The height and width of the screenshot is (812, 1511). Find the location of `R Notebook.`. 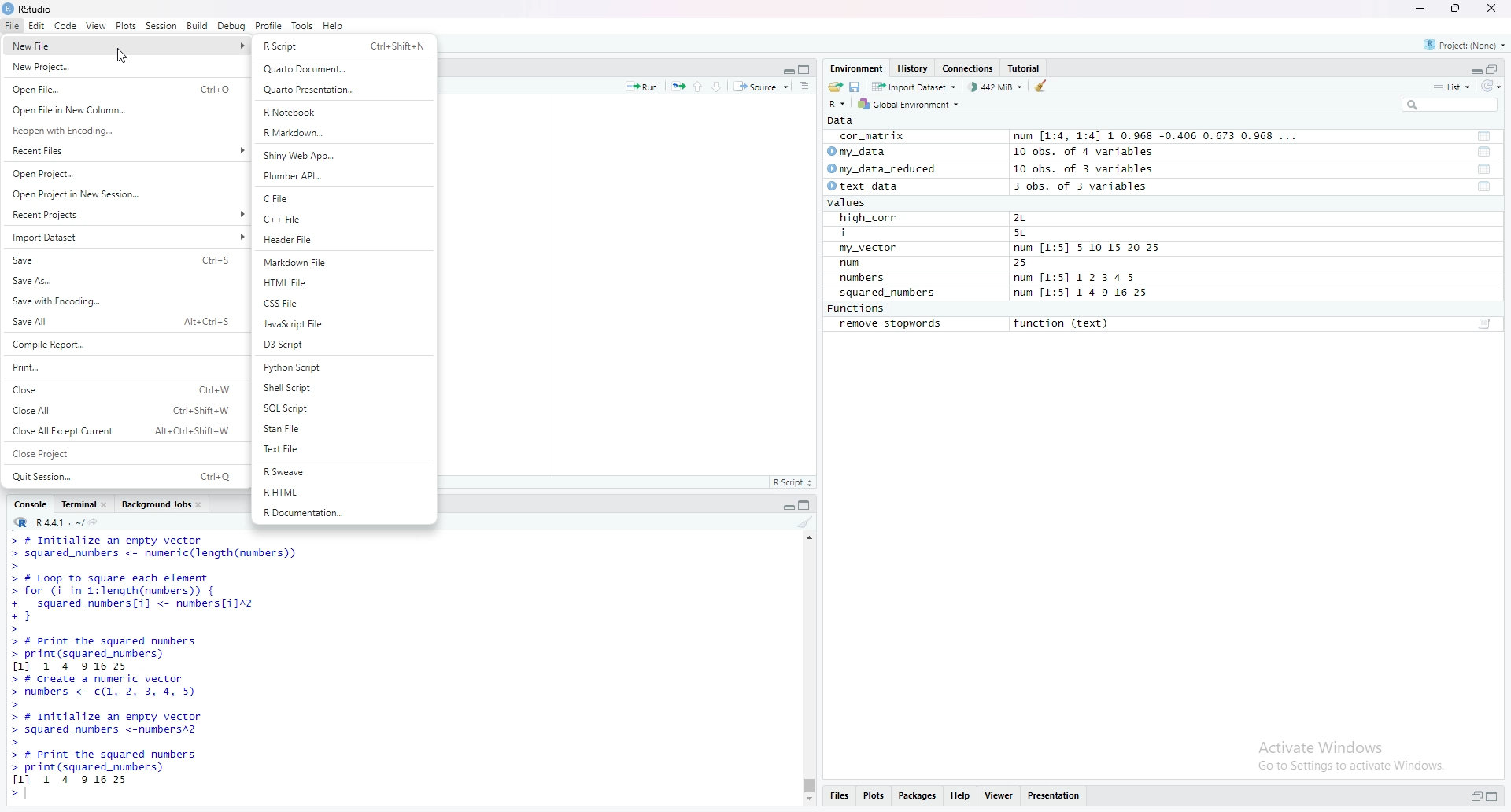

R Notebook. is located at coordinates (339, 111).